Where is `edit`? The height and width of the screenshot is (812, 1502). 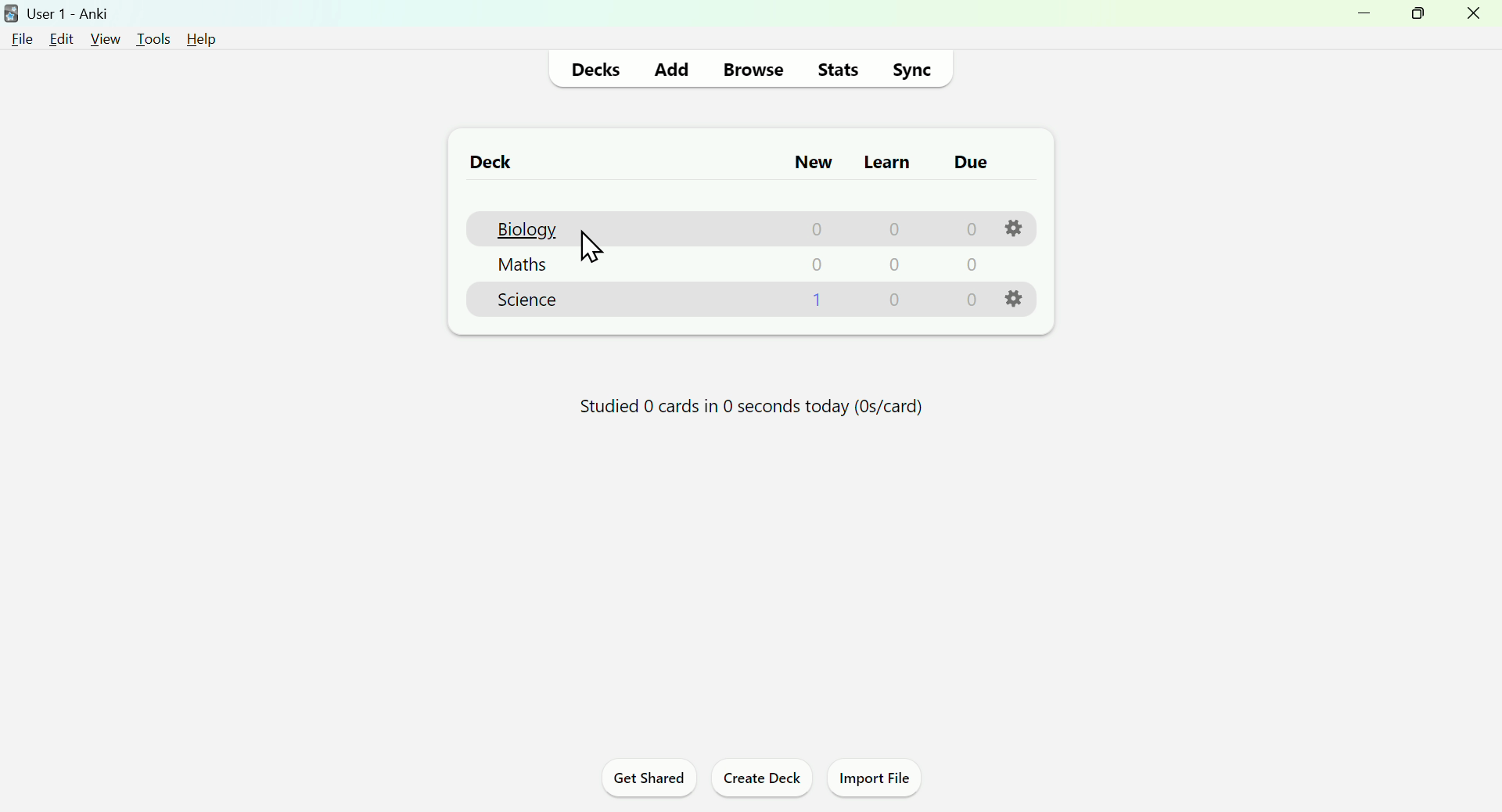
edit is located at coordinates (62, 38).